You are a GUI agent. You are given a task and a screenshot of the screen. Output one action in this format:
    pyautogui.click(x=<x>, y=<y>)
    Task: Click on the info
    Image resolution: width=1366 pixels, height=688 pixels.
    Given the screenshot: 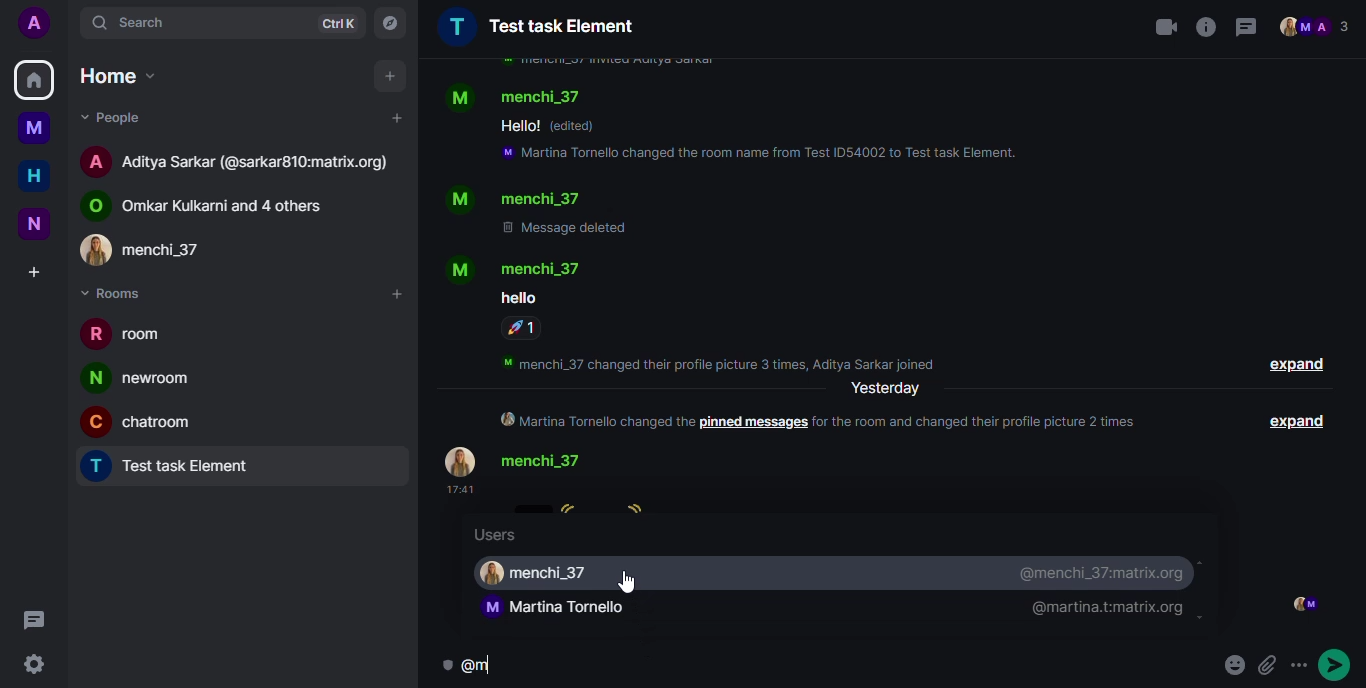 What is the action you would take?
    pyautogui.click(x=1202, y=24)
    